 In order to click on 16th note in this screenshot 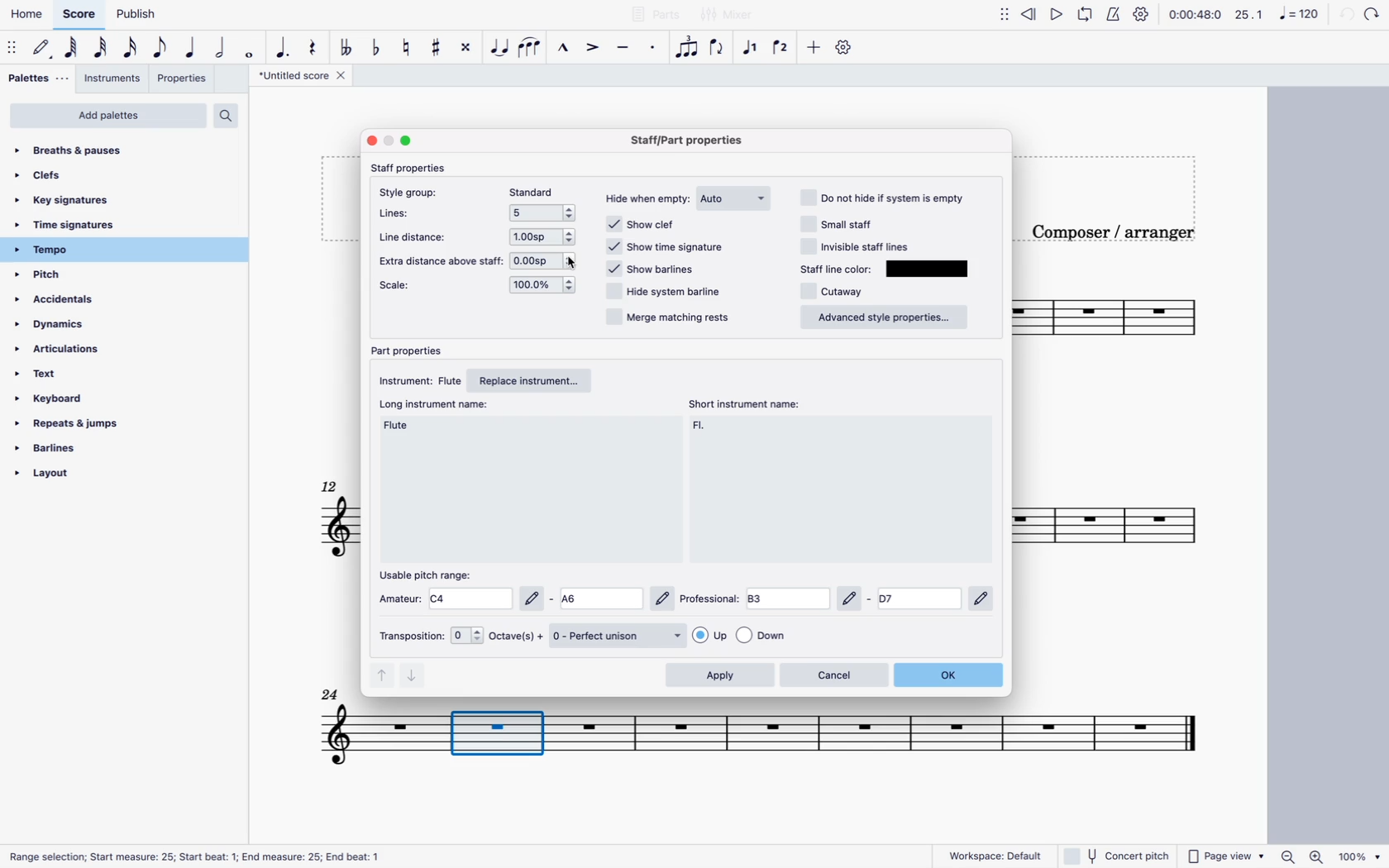, I will do `click(131, 48)`.